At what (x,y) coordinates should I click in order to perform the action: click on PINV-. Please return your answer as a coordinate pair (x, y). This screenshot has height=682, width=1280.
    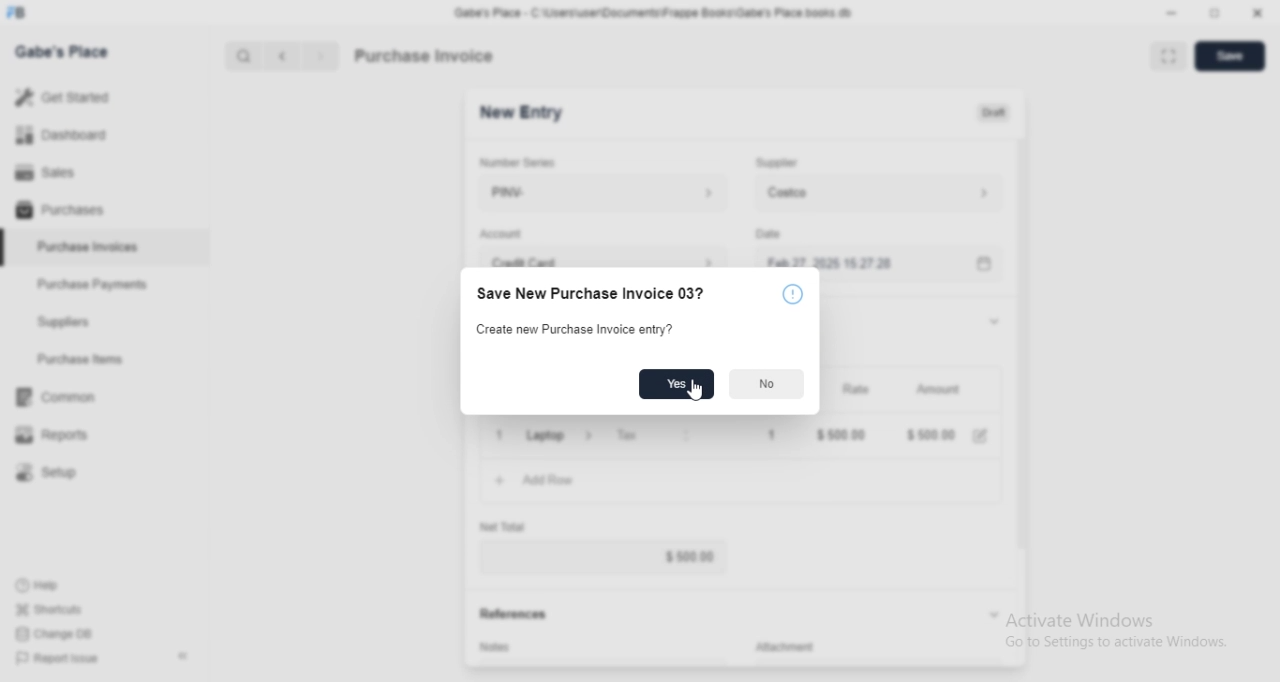
    Looking at the image, I should click on (603, 193).